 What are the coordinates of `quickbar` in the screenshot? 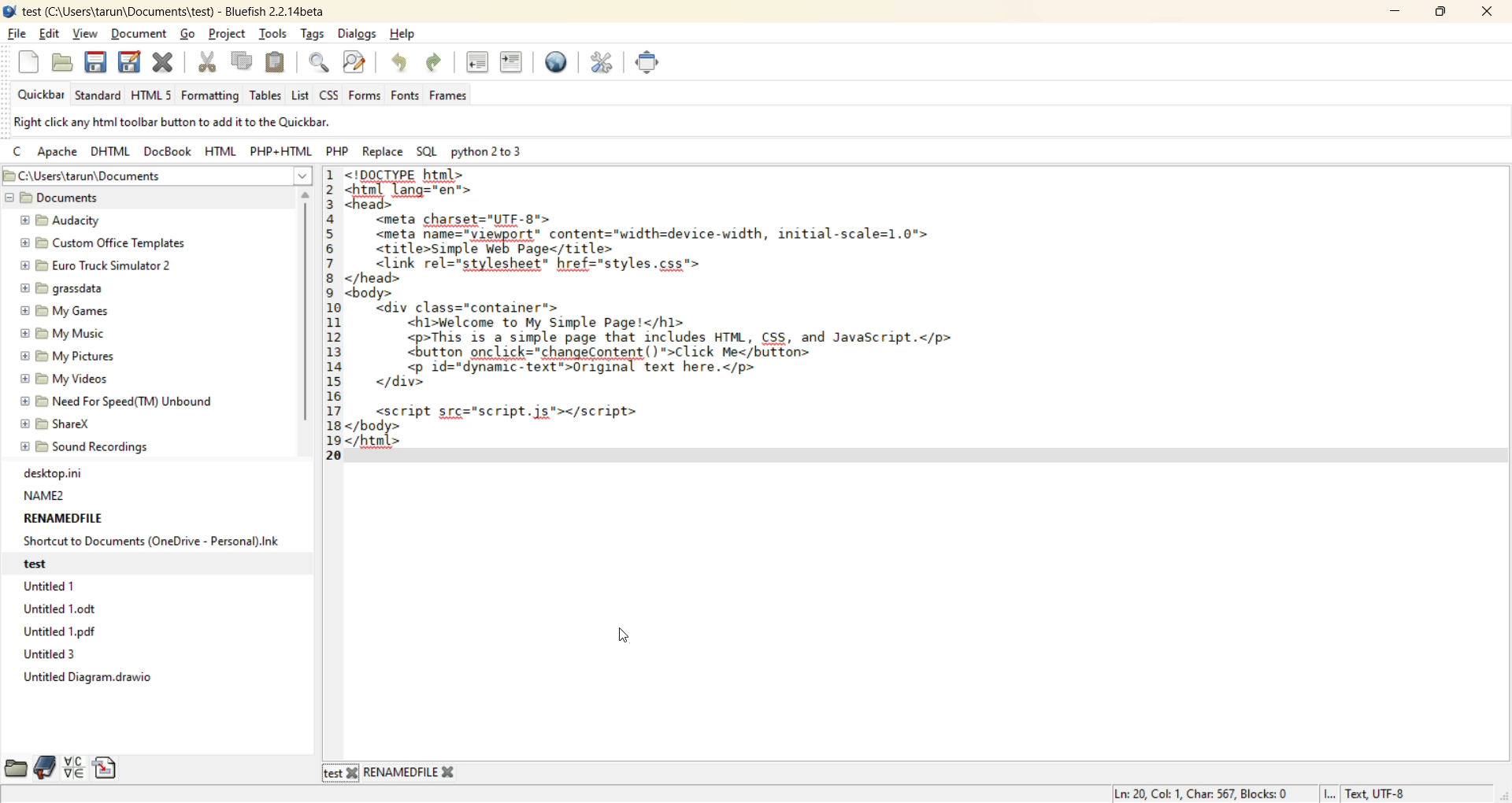 It's located at (38, 95).